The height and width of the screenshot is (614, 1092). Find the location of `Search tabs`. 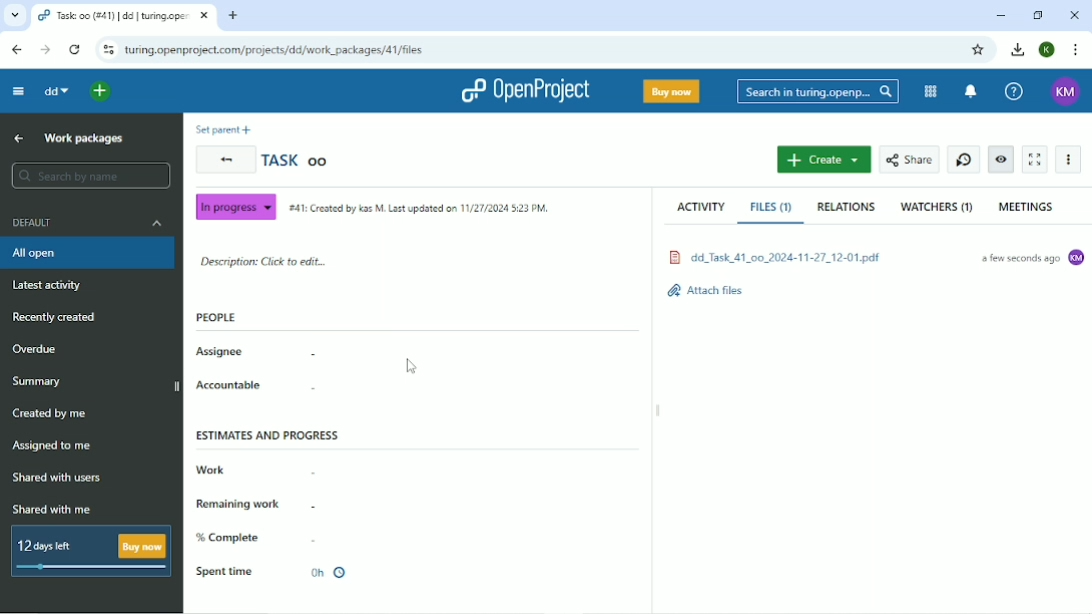

Search tabs is located at coordinates (13, 14).